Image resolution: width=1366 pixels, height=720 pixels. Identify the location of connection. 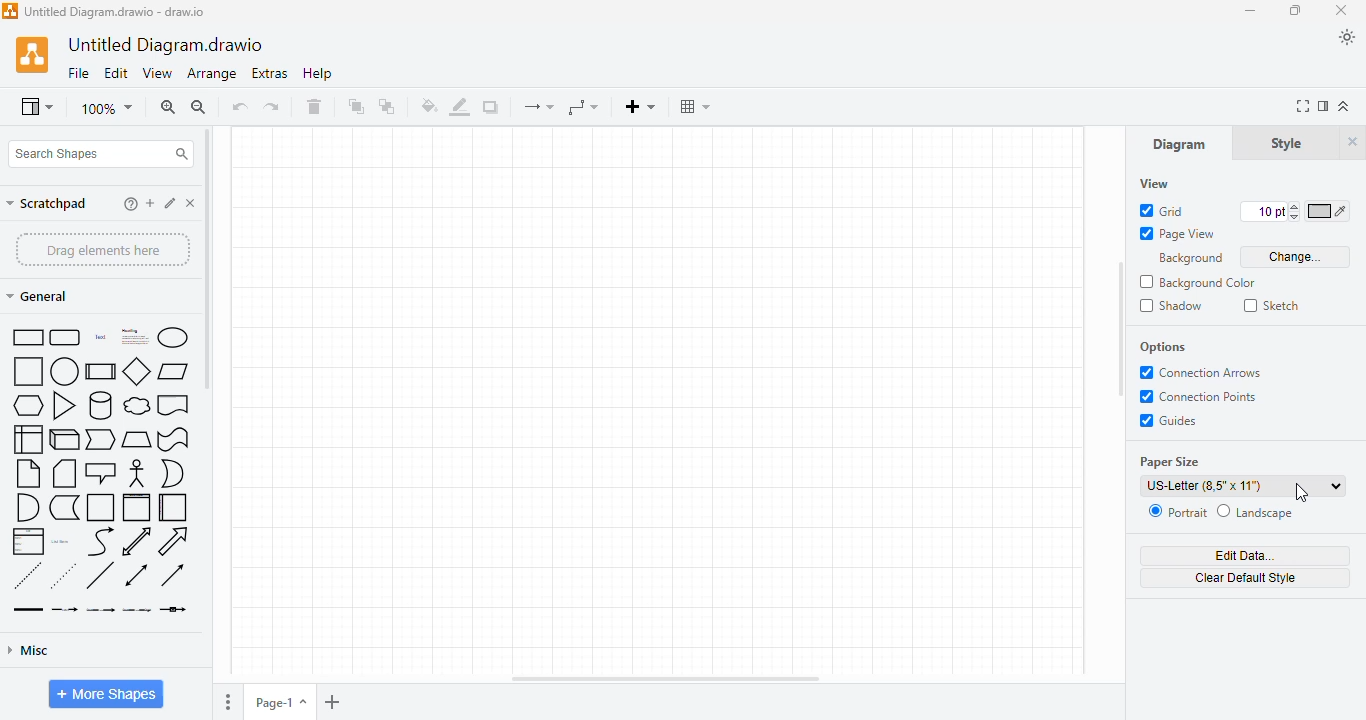
(538, 107).